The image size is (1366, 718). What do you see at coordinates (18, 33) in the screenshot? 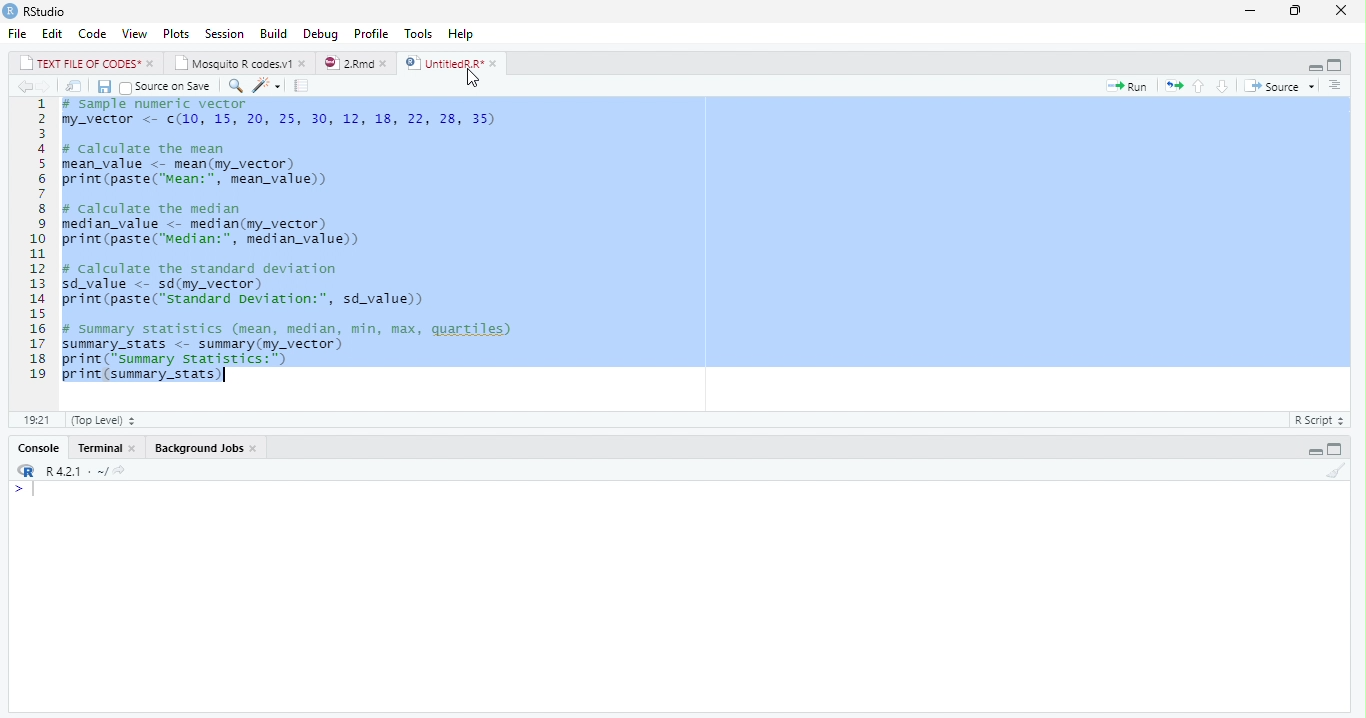
I see `file` at bounding box center [18, 33].